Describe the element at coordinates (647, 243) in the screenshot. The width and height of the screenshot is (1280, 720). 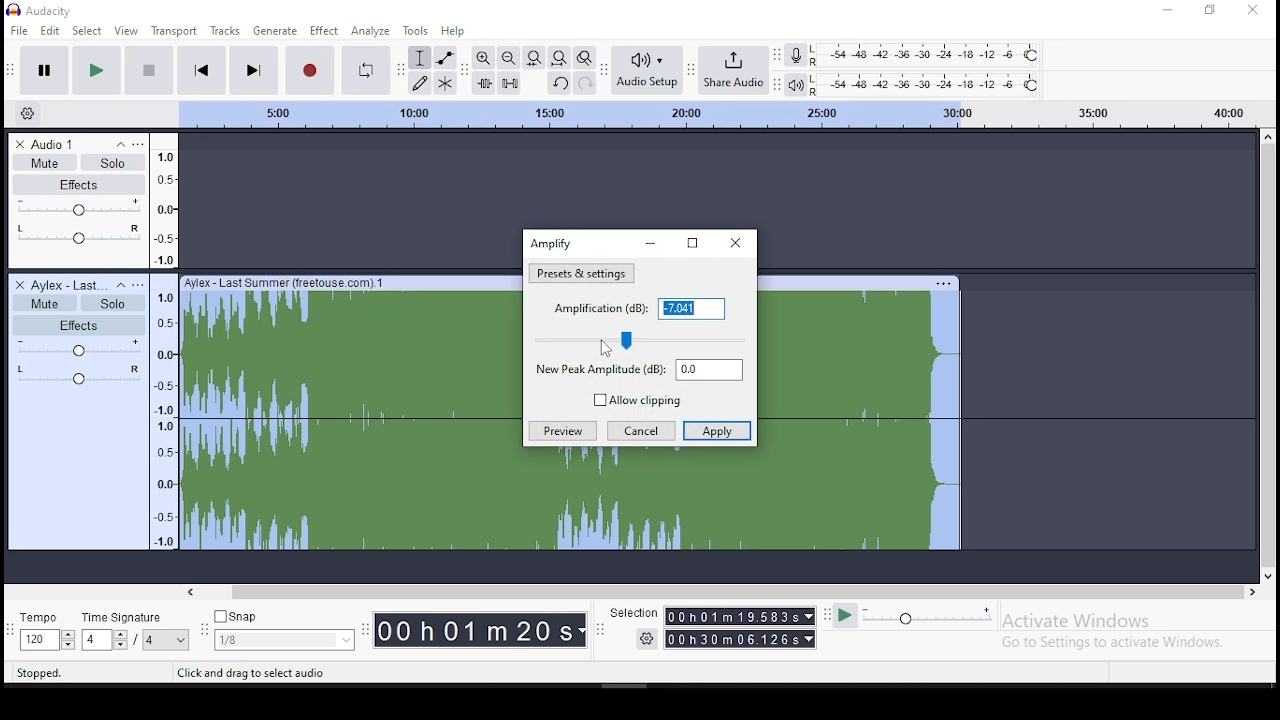
I see `minimize` at that location.